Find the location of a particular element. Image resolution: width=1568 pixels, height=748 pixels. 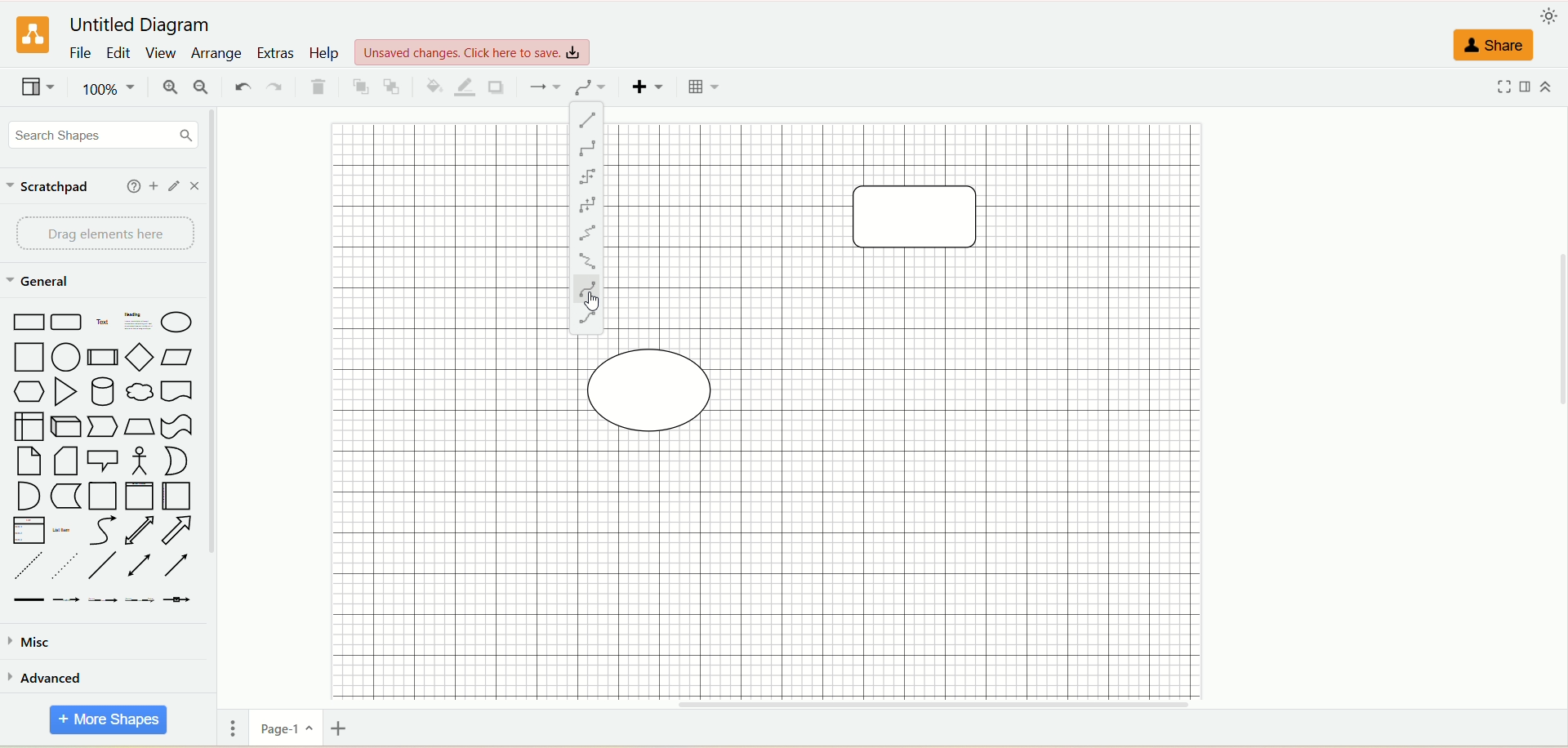

add is located at coordinates (151, 185).